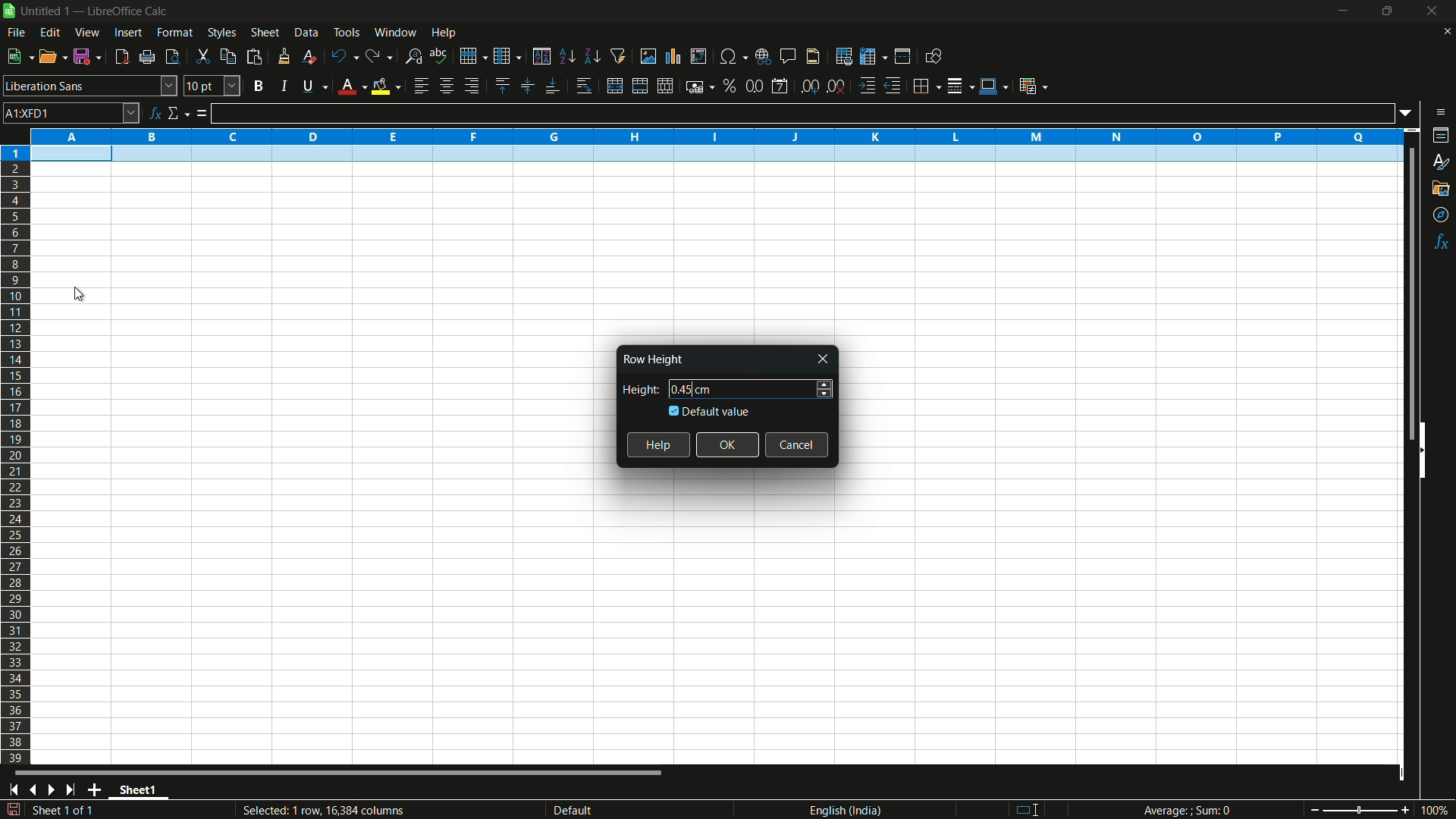 The height and width of the screenshot is (819, 1456). What do you see at coordinates (1442, 215) in the screenshot?
I see `navigator` at bounding box center [1442, 215].